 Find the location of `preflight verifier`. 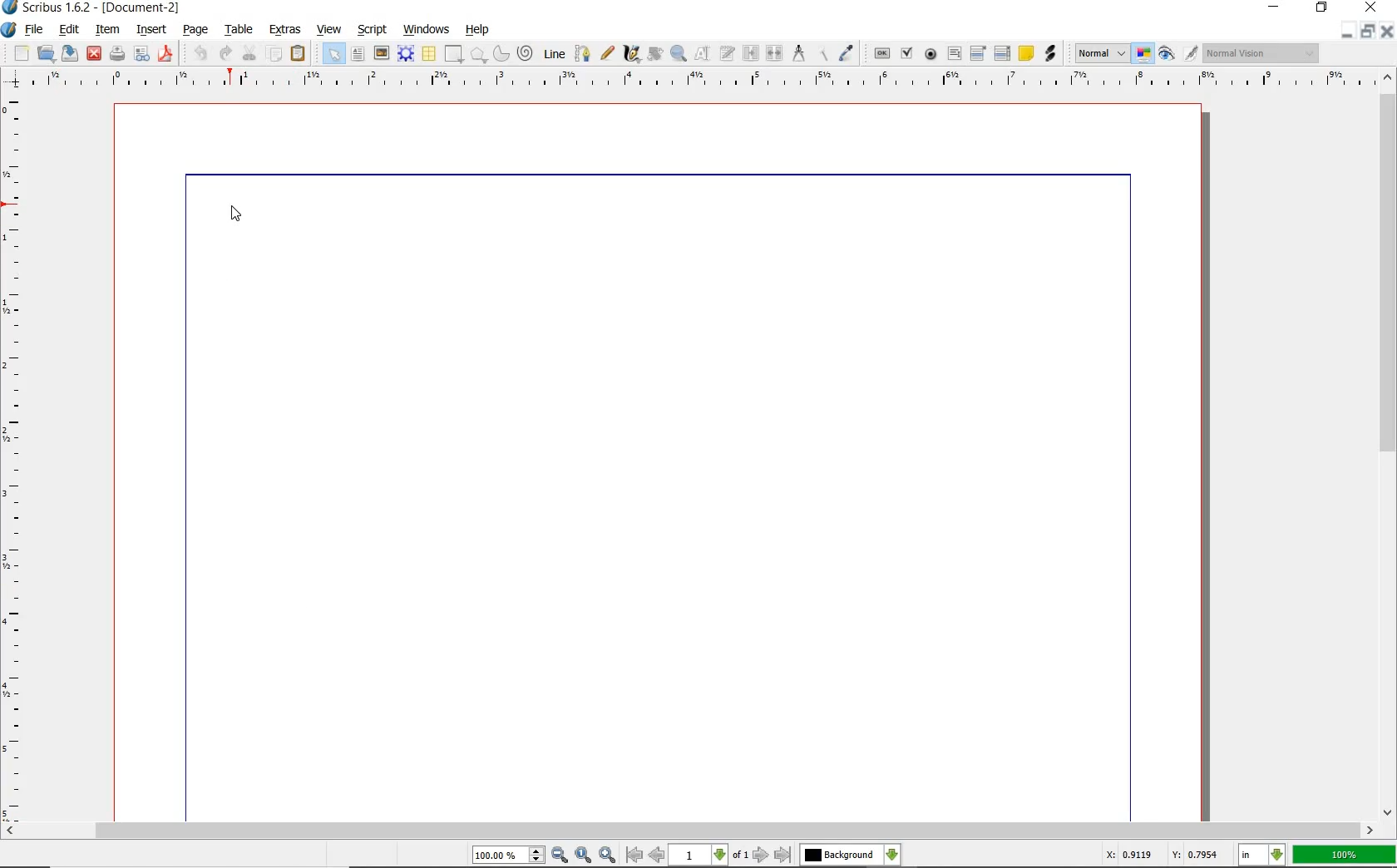

preflight verifier is located at coordinates (143, 55).